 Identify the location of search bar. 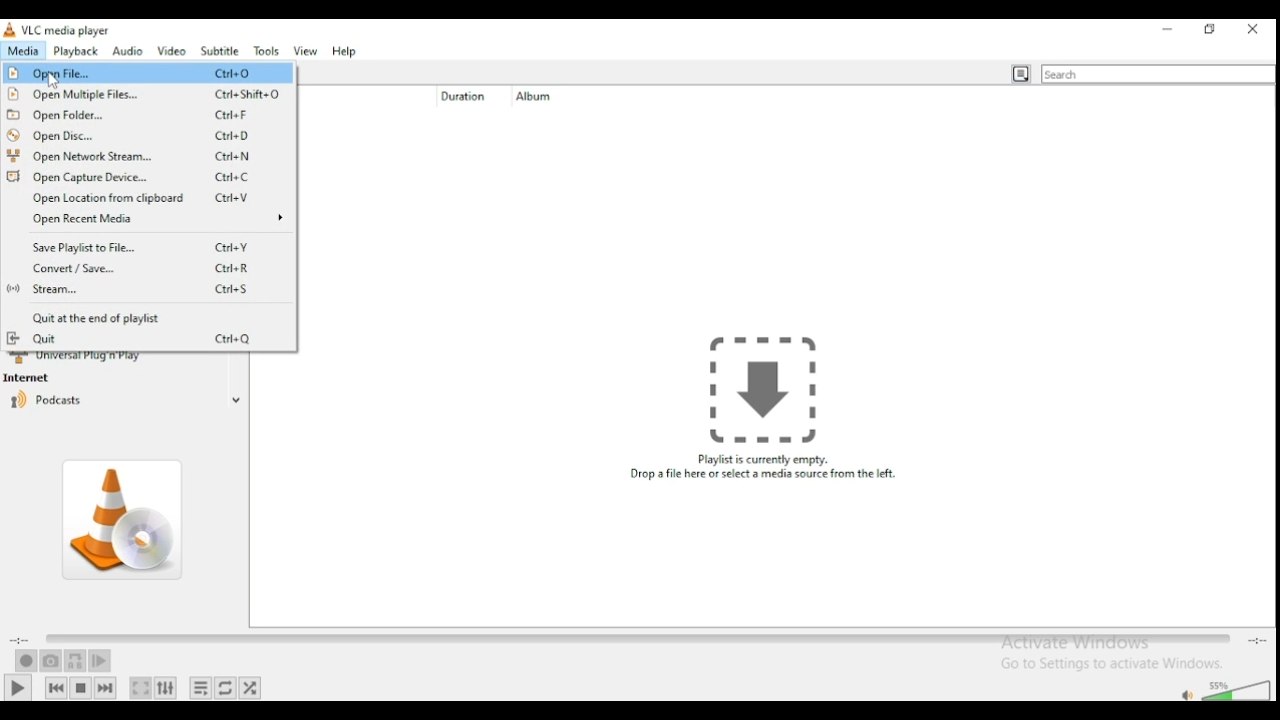
(1158, 74).